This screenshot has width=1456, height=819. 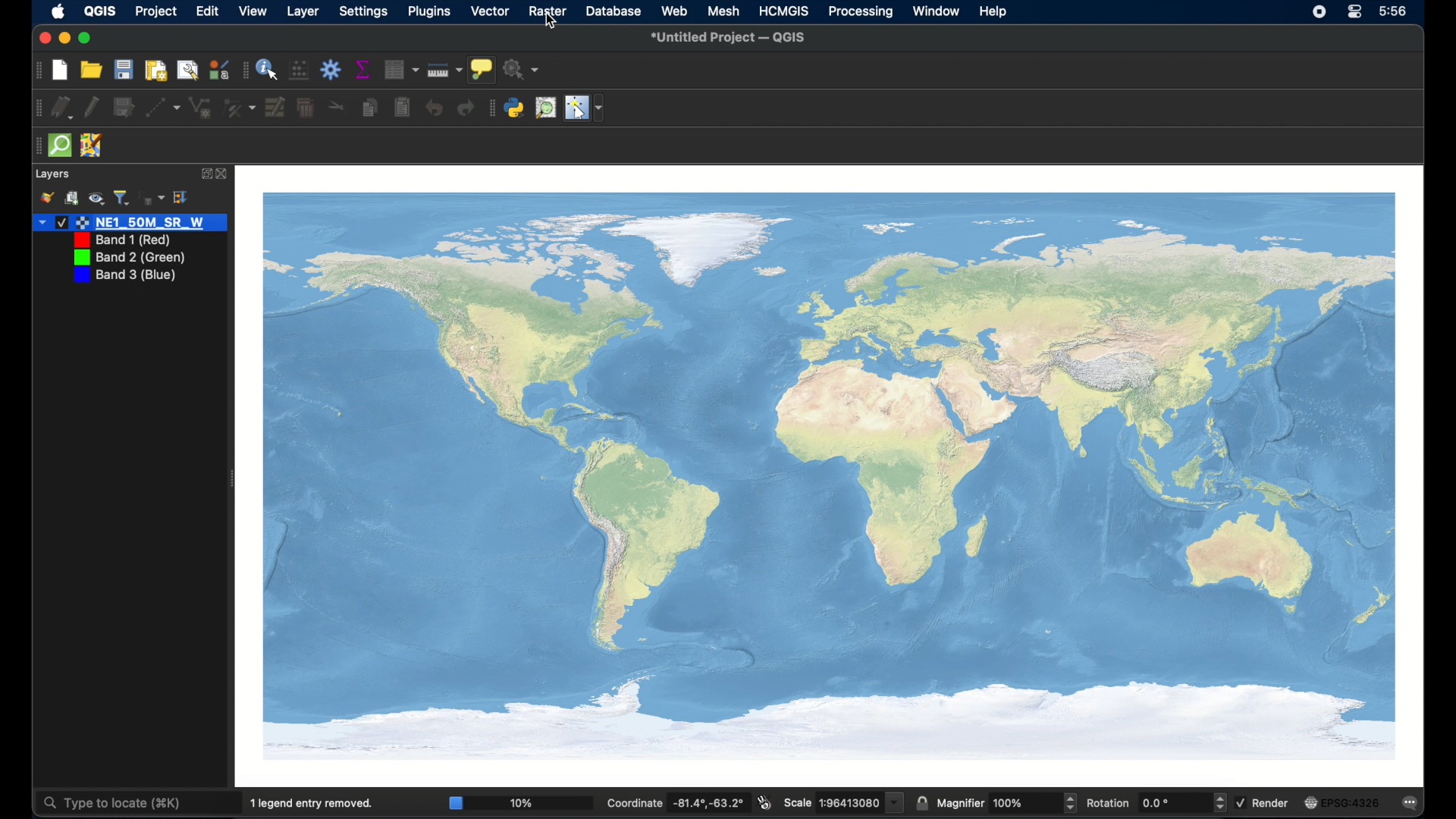 What do you see at coordinates (128, 257) in the screenshot?
I see `layer 3` at bounding box center [128, 257].